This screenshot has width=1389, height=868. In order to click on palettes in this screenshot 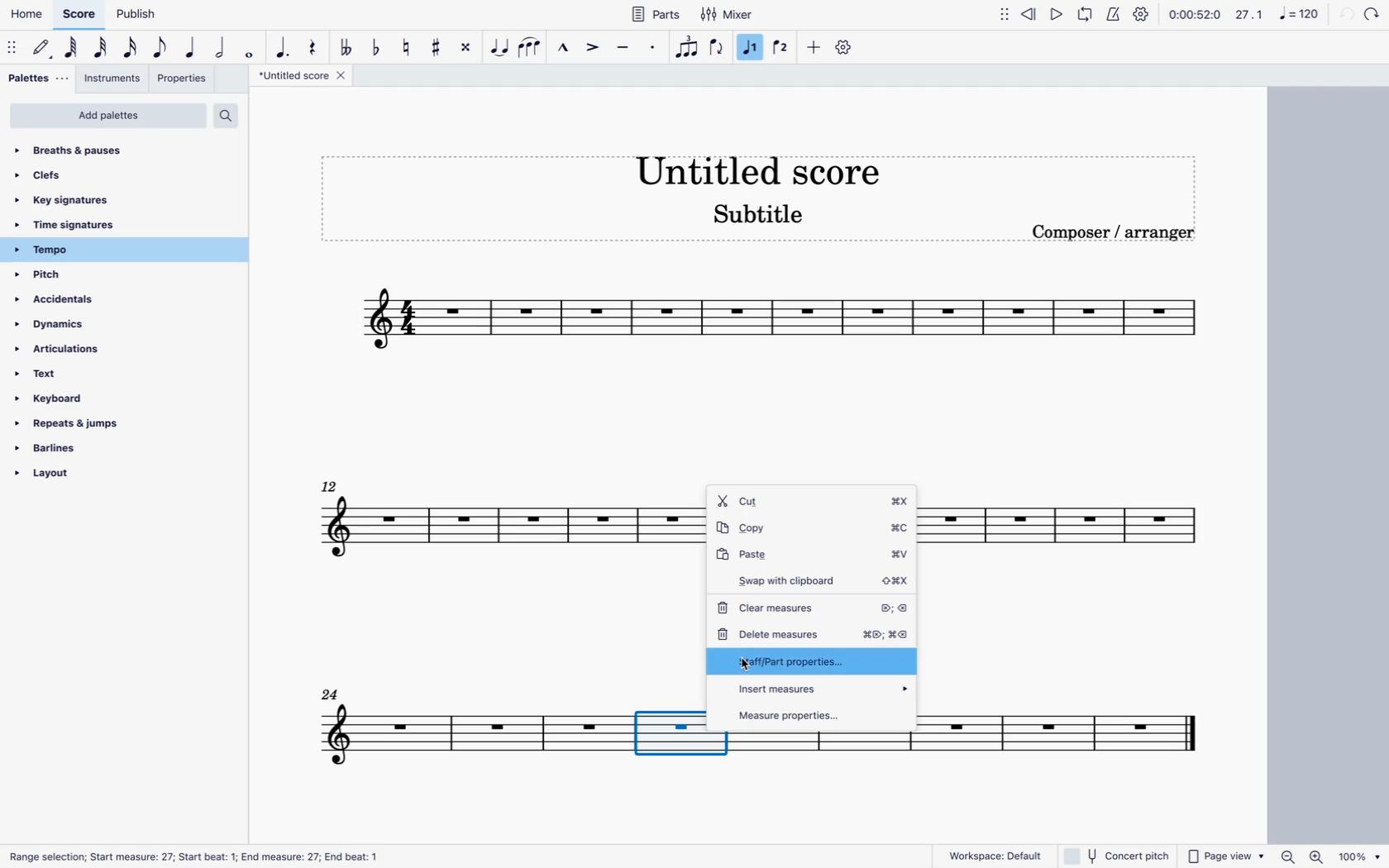, I will do `click(36, 78)`.